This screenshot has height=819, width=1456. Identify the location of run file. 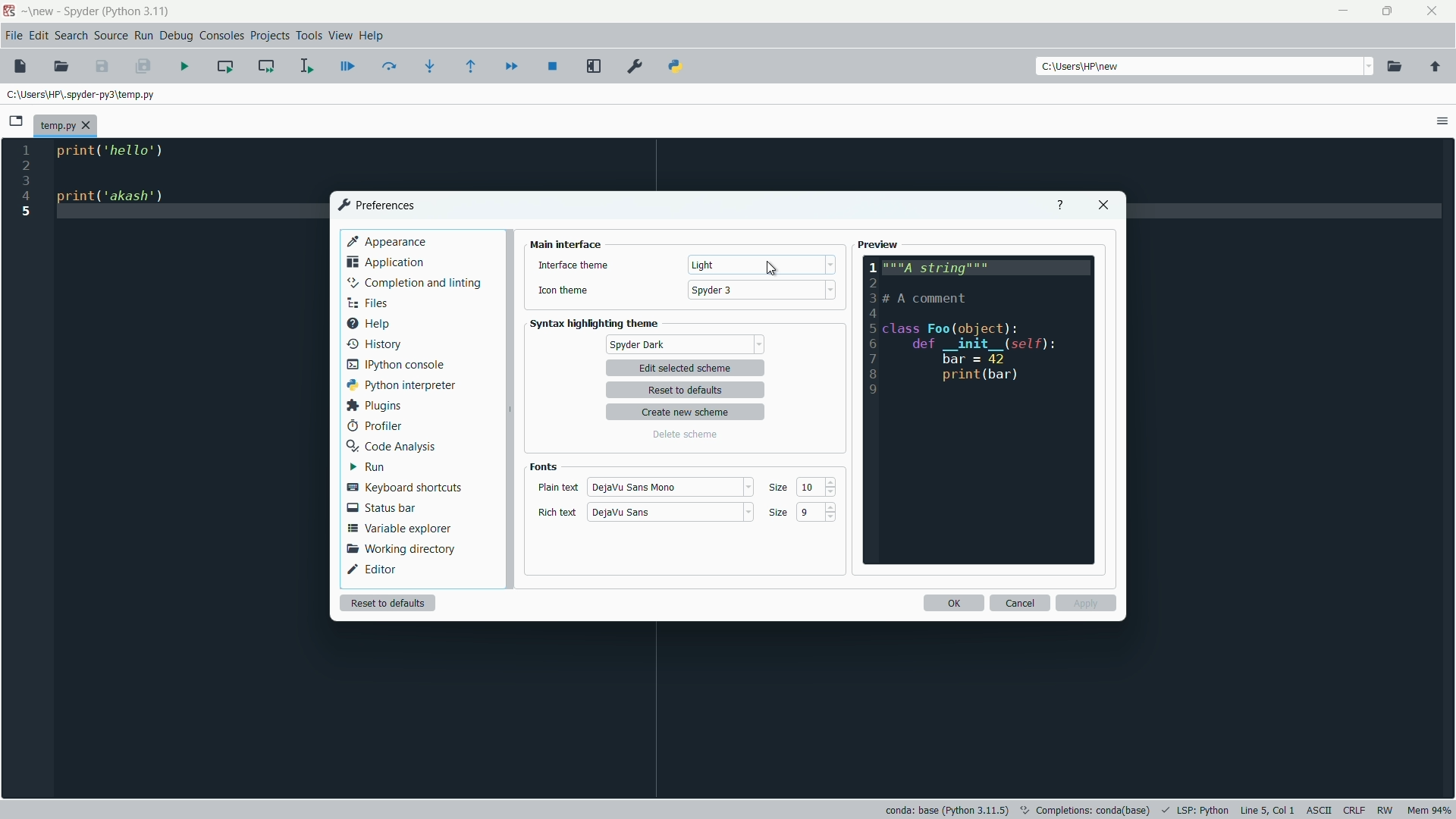
(186, 66).